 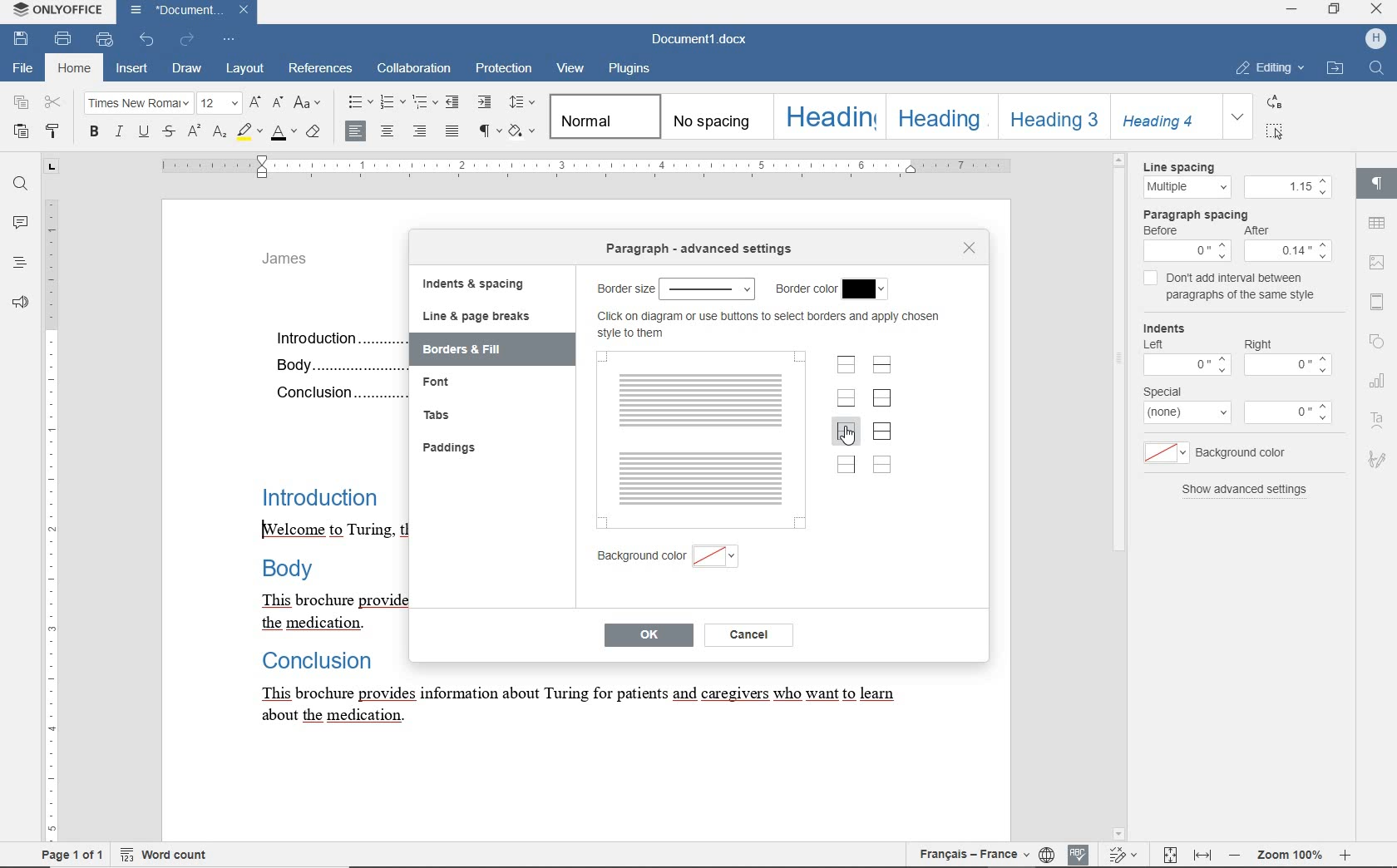 What do you see at coordinates (639, 560) in the screenshot?
I see `background color` at bounding box center [639, 560].